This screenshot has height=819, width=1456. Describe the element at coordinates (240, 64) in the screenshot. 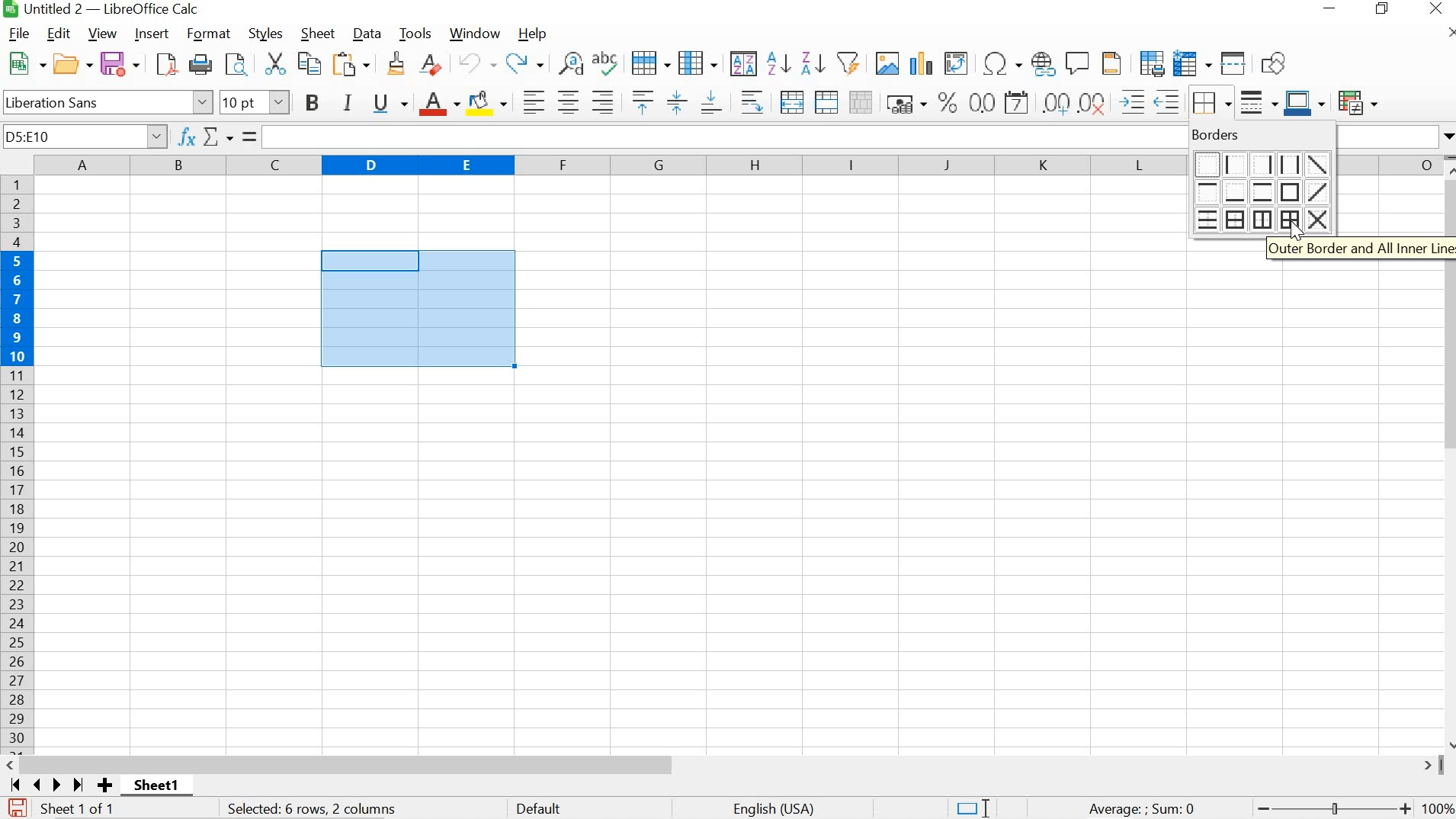

I see `FIND` at that location.